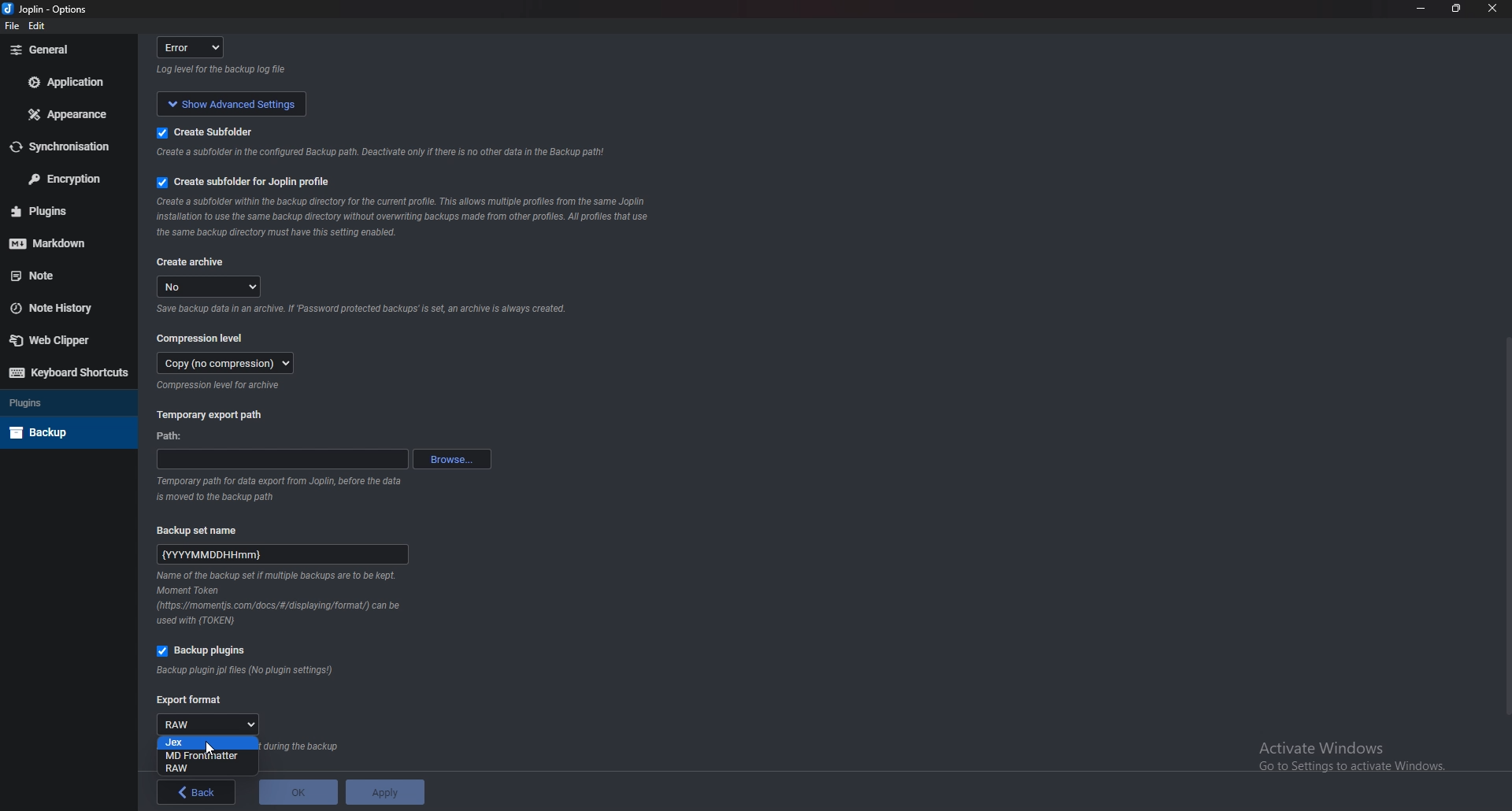  What do you see at coordinates (59, 241) in the screenshot?
I see `Mark down` at bounding box center [59, 241].